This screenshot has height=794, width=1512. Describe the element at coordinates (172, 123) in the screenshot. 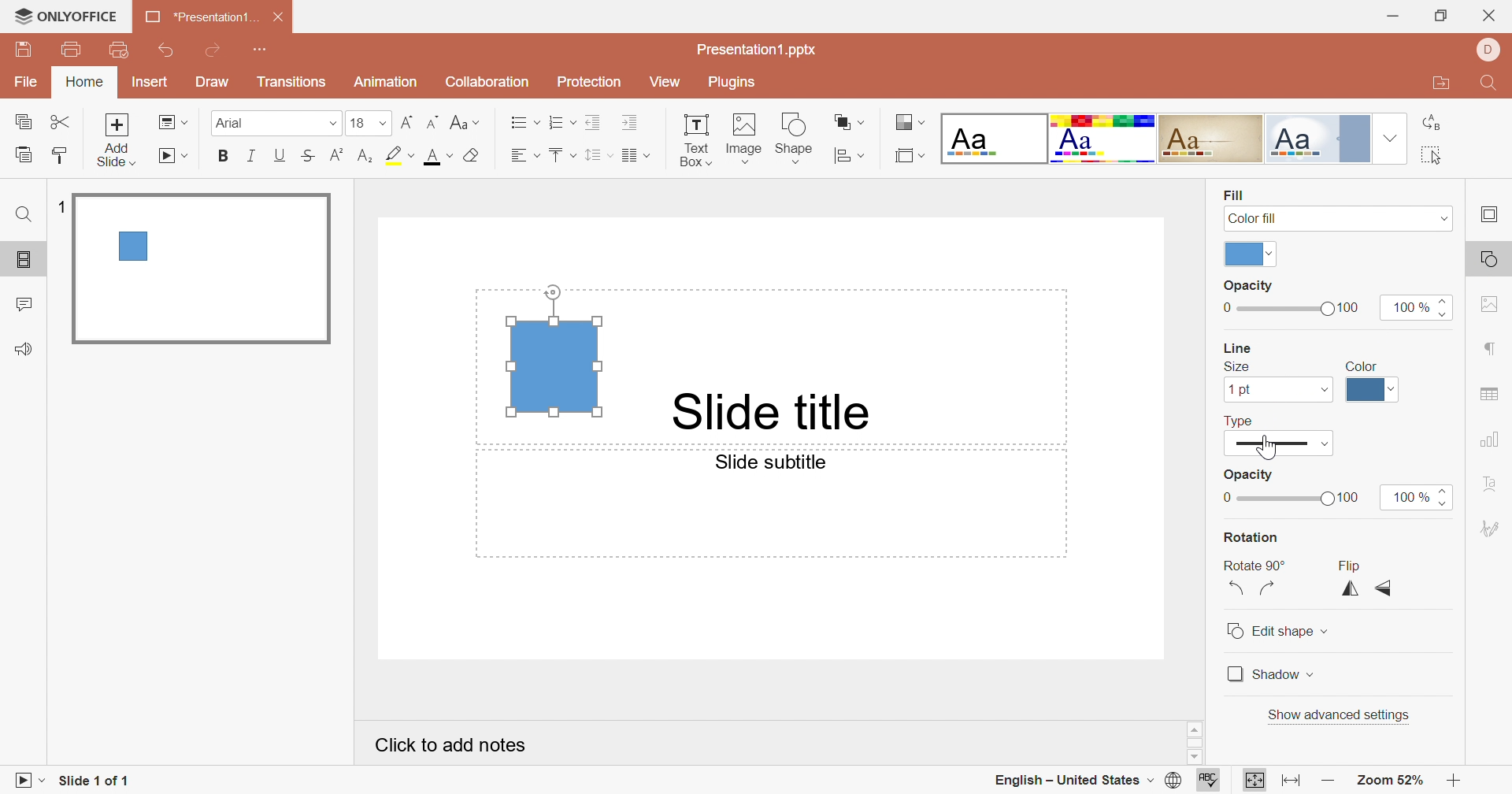

I see `Change slide layout` at that location.